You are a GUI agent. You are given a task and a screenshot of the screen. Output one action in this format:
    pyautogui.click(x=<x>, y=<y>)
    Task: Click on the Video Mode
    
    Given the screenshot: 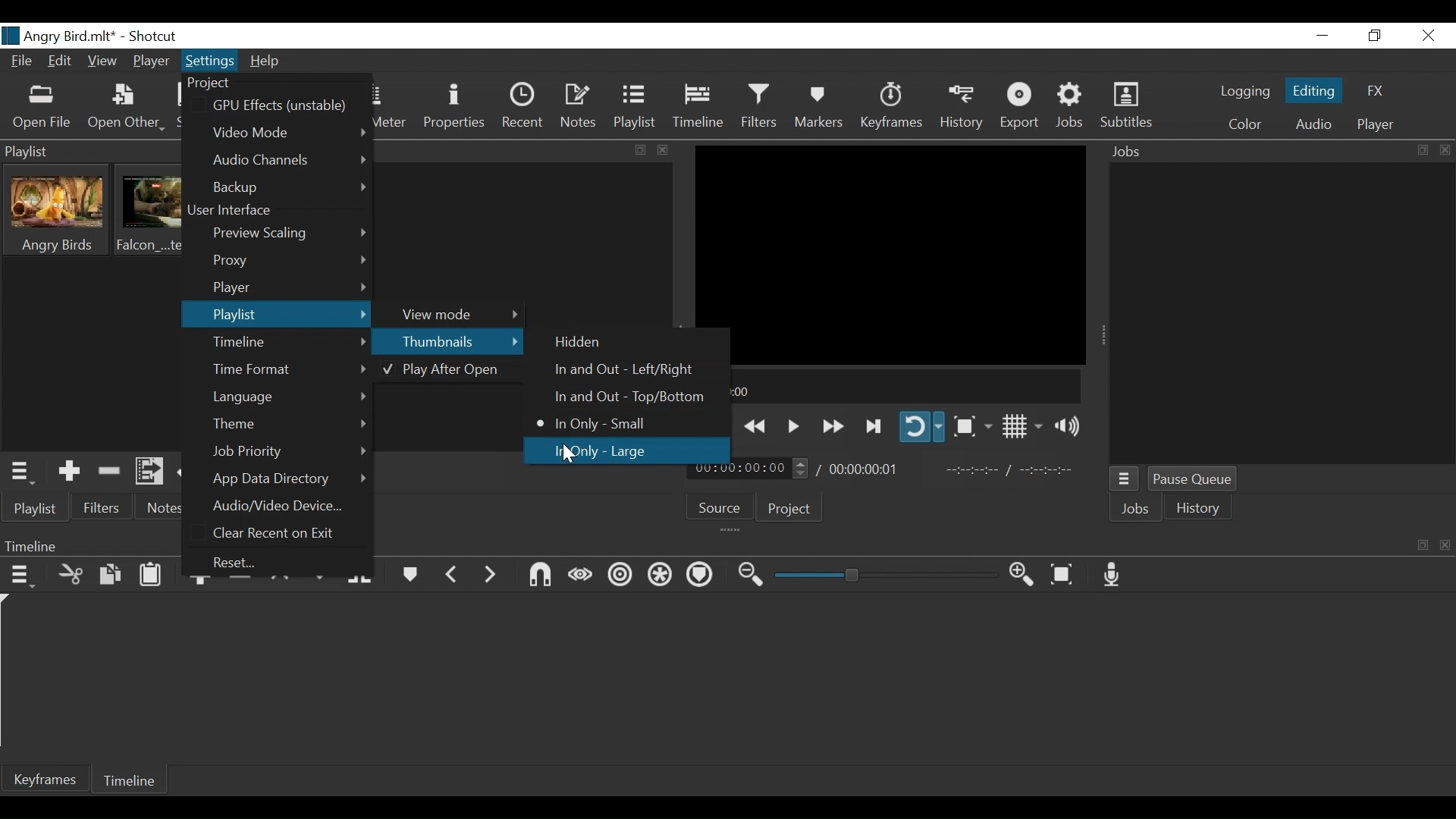 What is the action you would take?
    pyautogui.click(x=288, y=130)
    